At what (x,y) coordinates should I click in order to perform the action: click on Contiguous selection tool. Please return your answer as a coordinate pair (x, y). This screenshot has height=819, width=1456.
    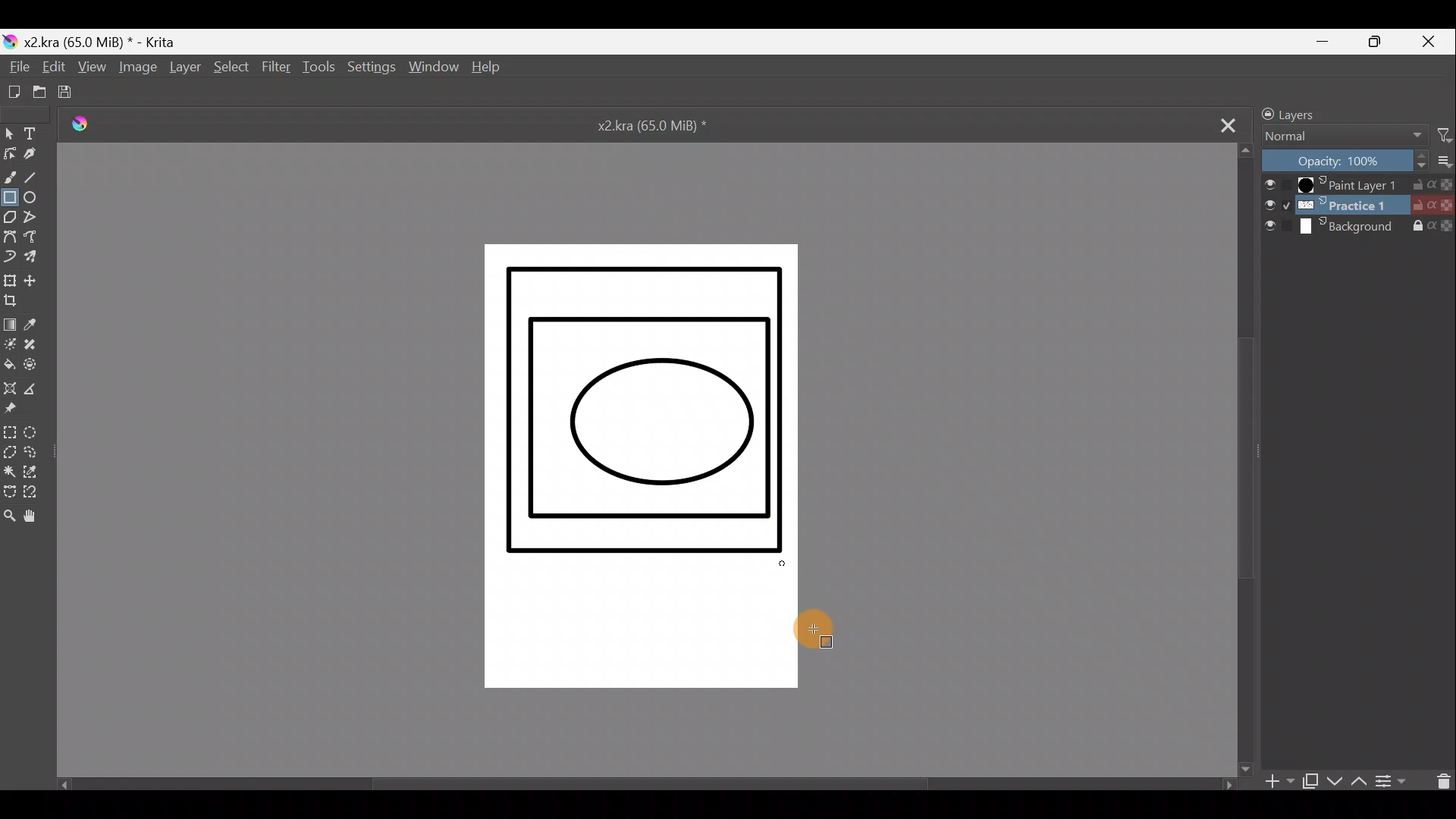
    Looking at the image, I should click on (10, 473).